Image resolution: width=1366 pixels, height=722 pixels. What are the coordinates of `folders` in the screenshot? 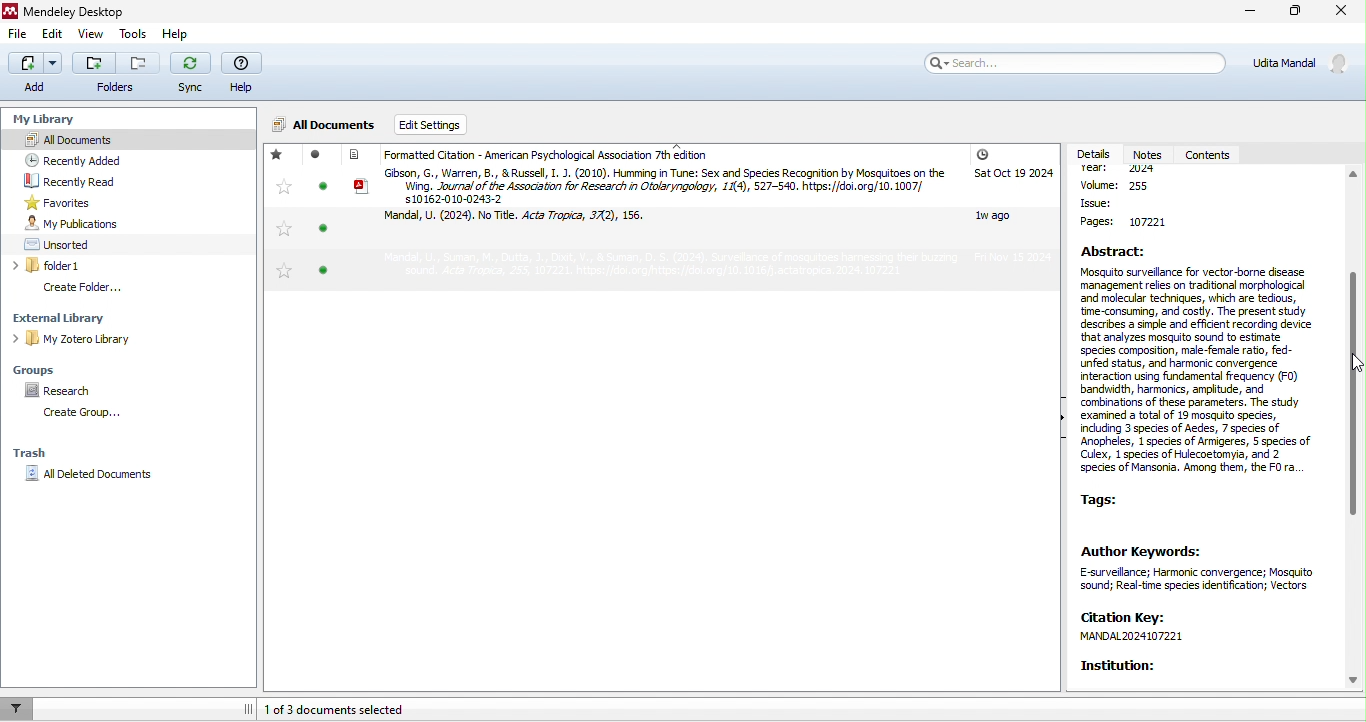 It's located at (117, 75).